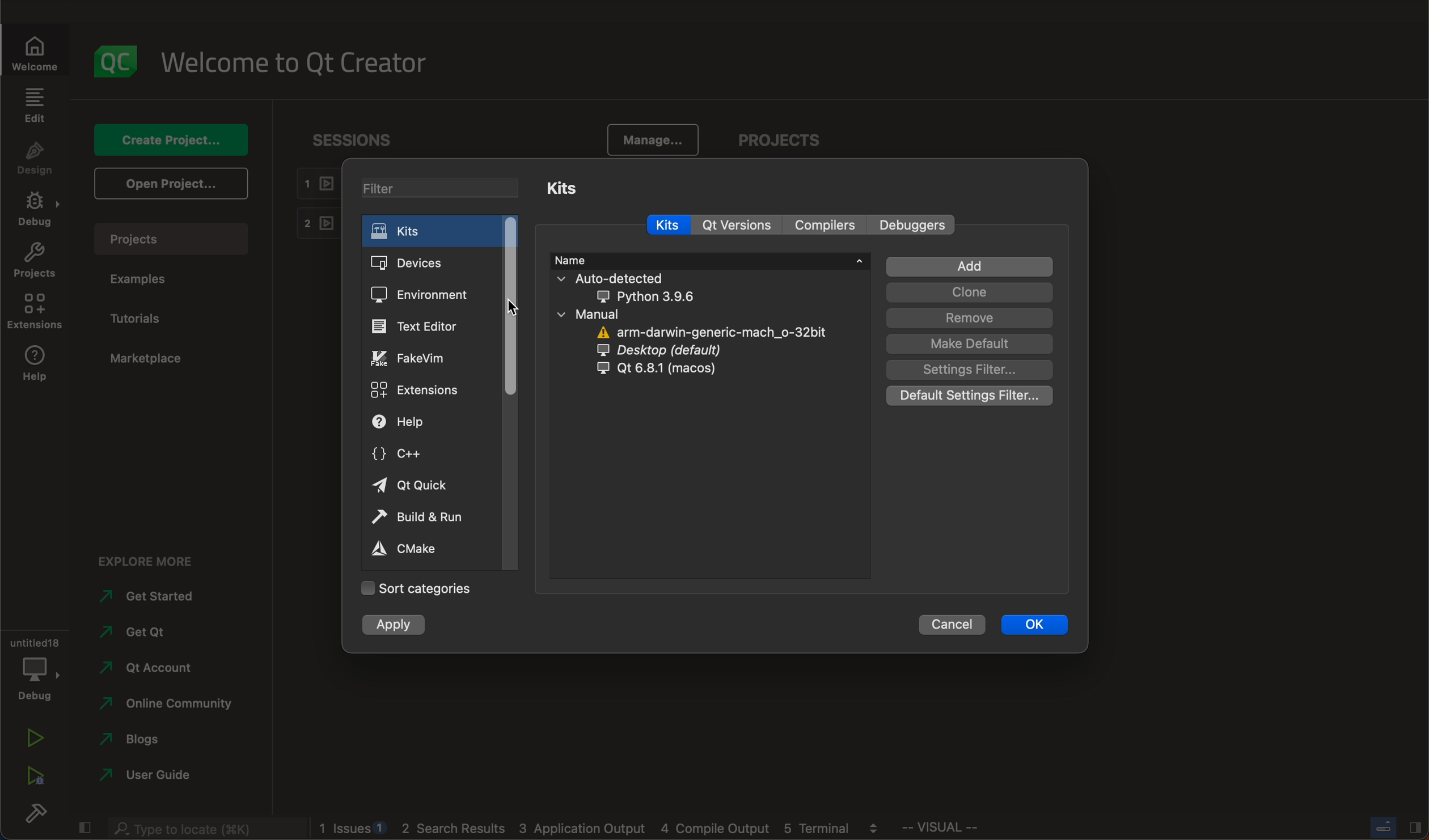 The height and width of the screenshot is (840, 1429). Describe the element at coordinates (1390, 829) in the screenshot. I see `close slidebar` at that location.